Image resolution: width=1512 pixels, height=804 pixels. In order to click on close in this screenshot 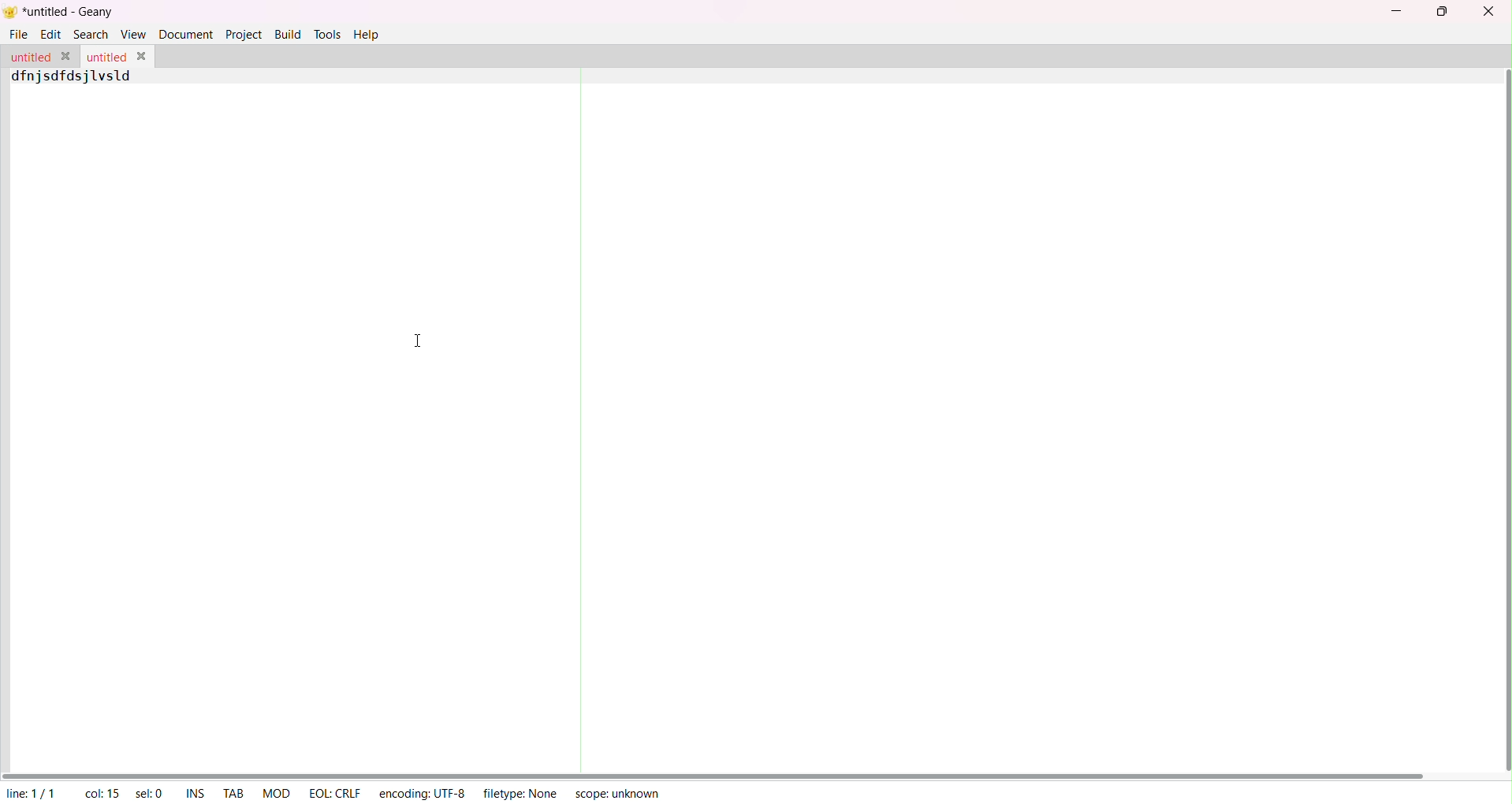, I will do `click(1488, 11)`.